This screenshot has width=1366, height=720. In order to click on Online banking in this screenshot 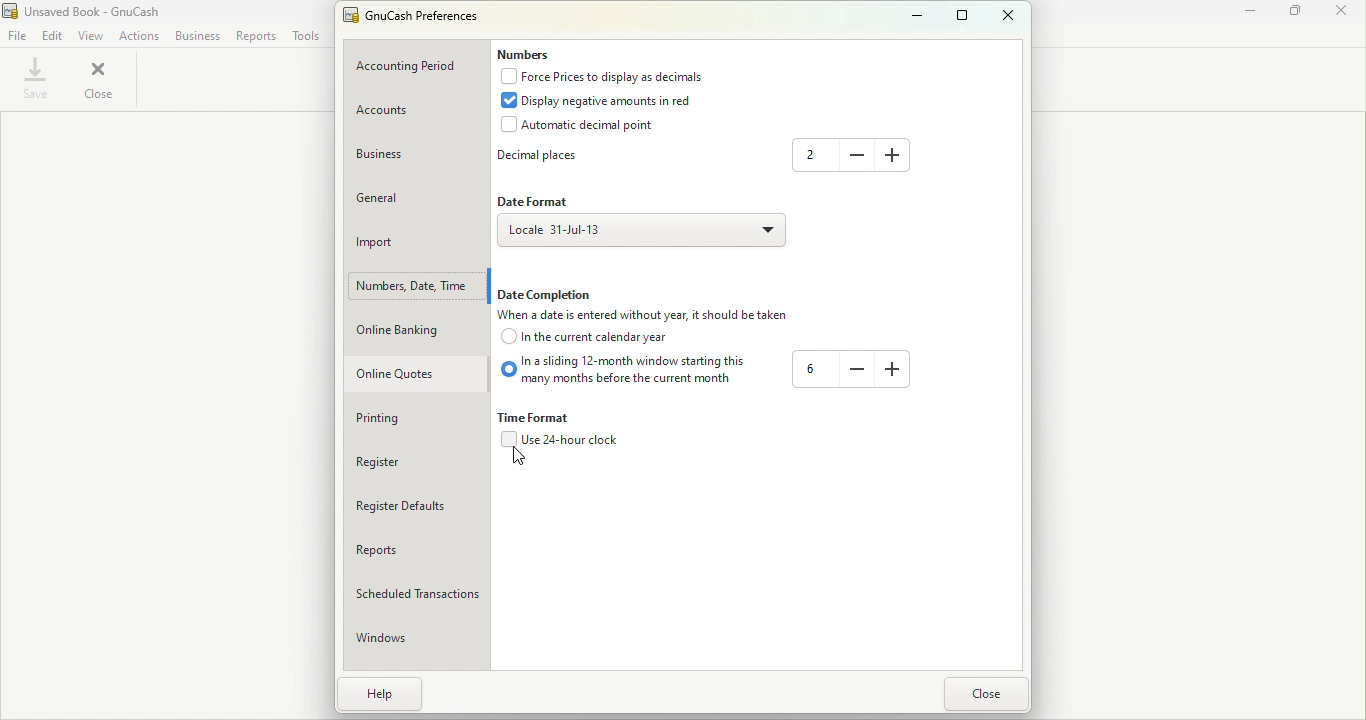, I will do `click(402, 335)`.